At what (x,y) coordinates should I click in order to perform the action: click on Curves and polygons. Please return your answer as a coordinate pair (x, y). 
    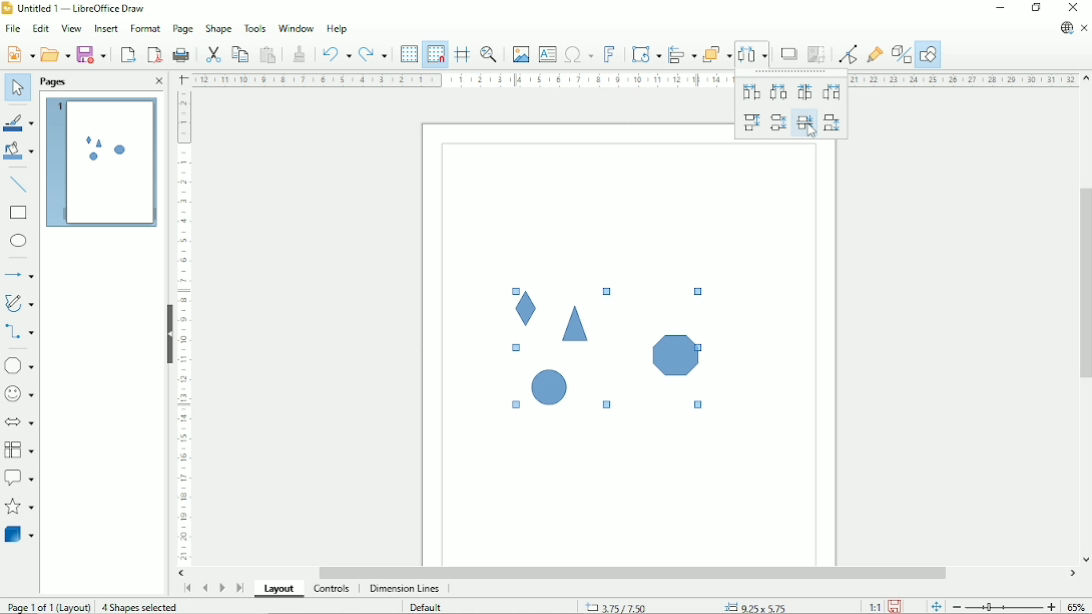
    Looking at the image, I should click on (20, 303).